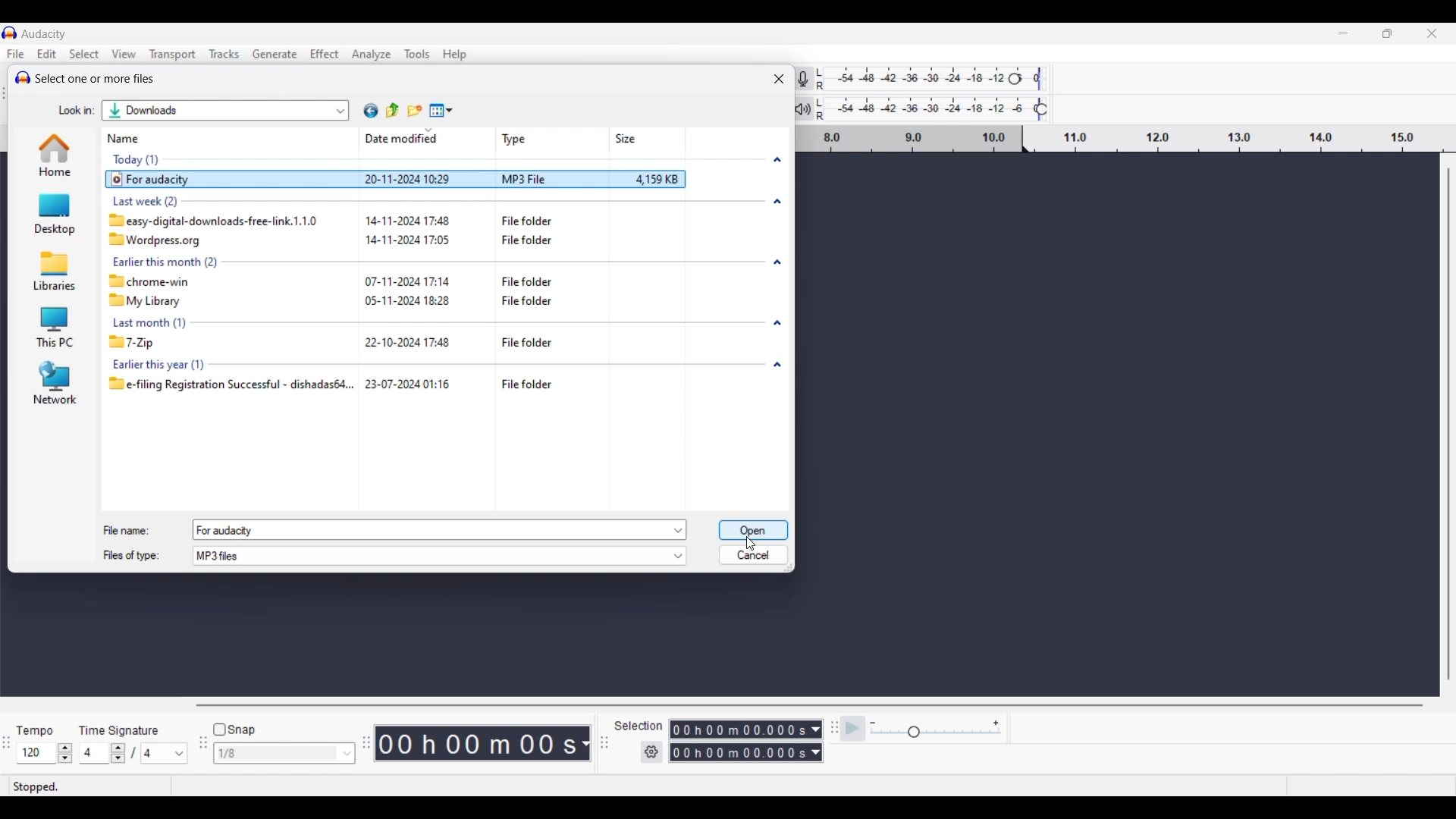  Describe the element at coordinates (140, 557) in the screenshot. I see `Files of type:` at that location.